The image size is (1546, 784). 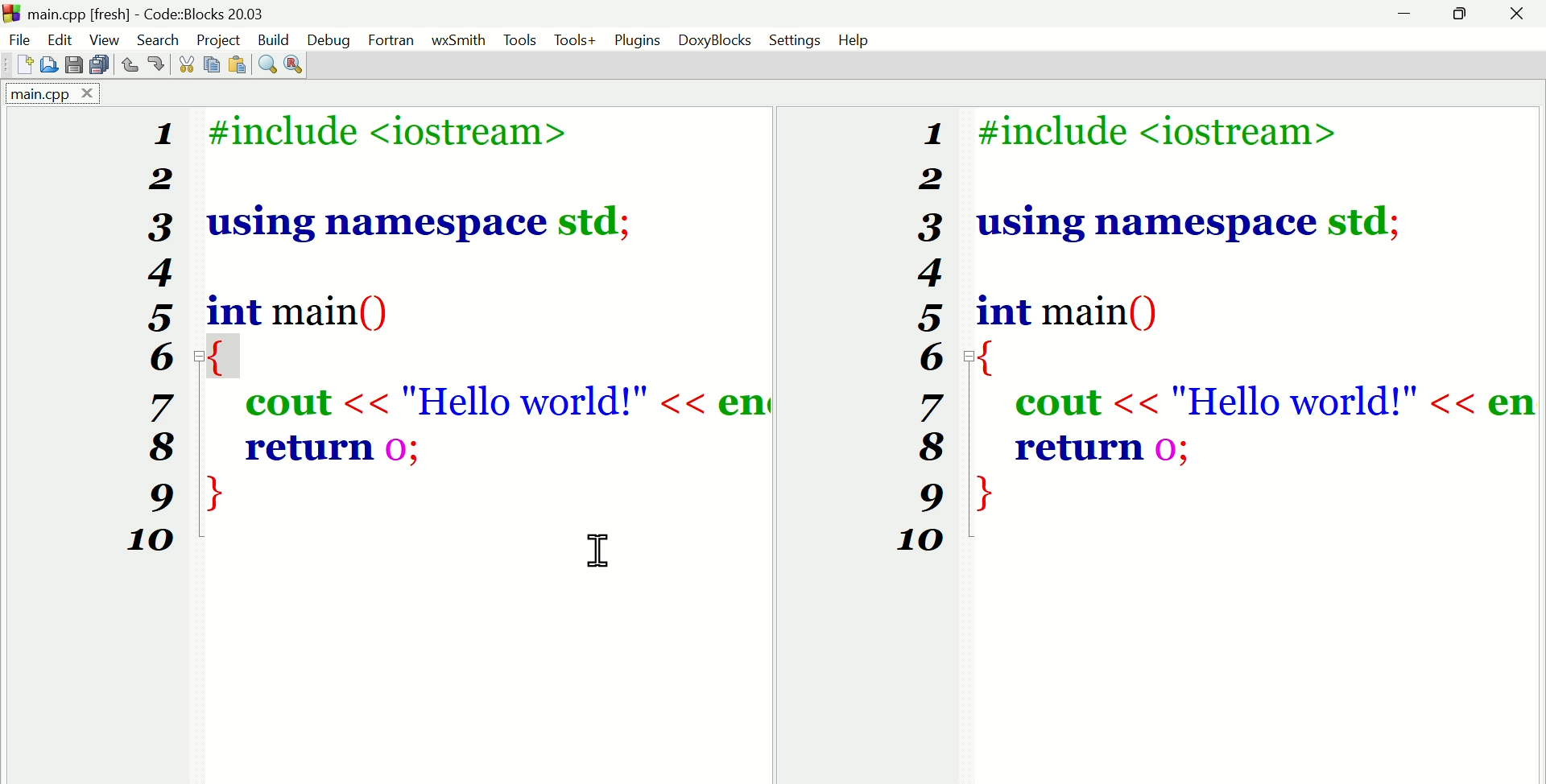 I want to click on Main.Cpp, so click(x=48, y=95).